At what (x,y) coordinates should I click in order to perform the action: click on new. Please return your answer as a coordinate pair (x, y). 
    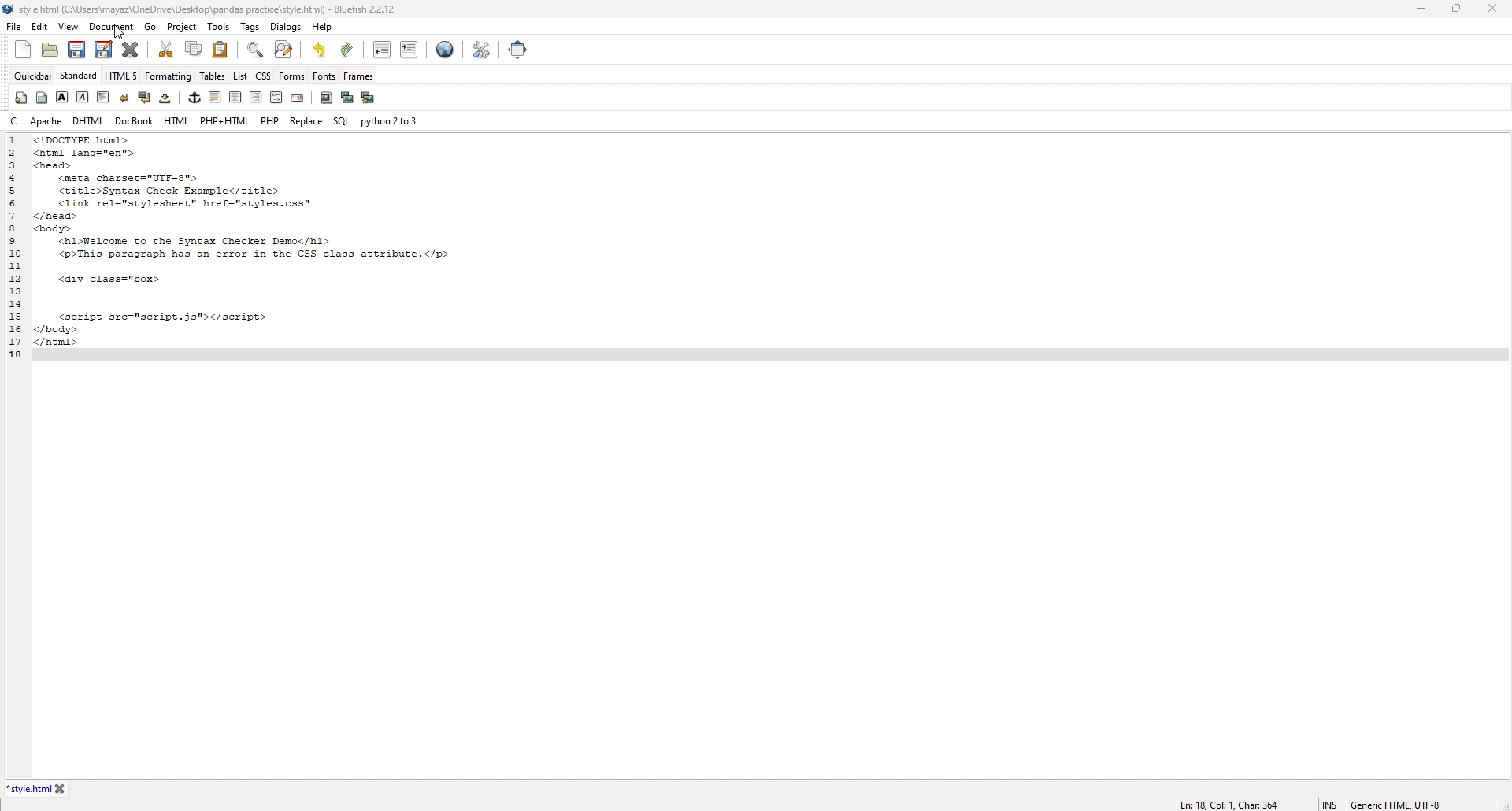
    Looking at the image, I should click on (22, 49).